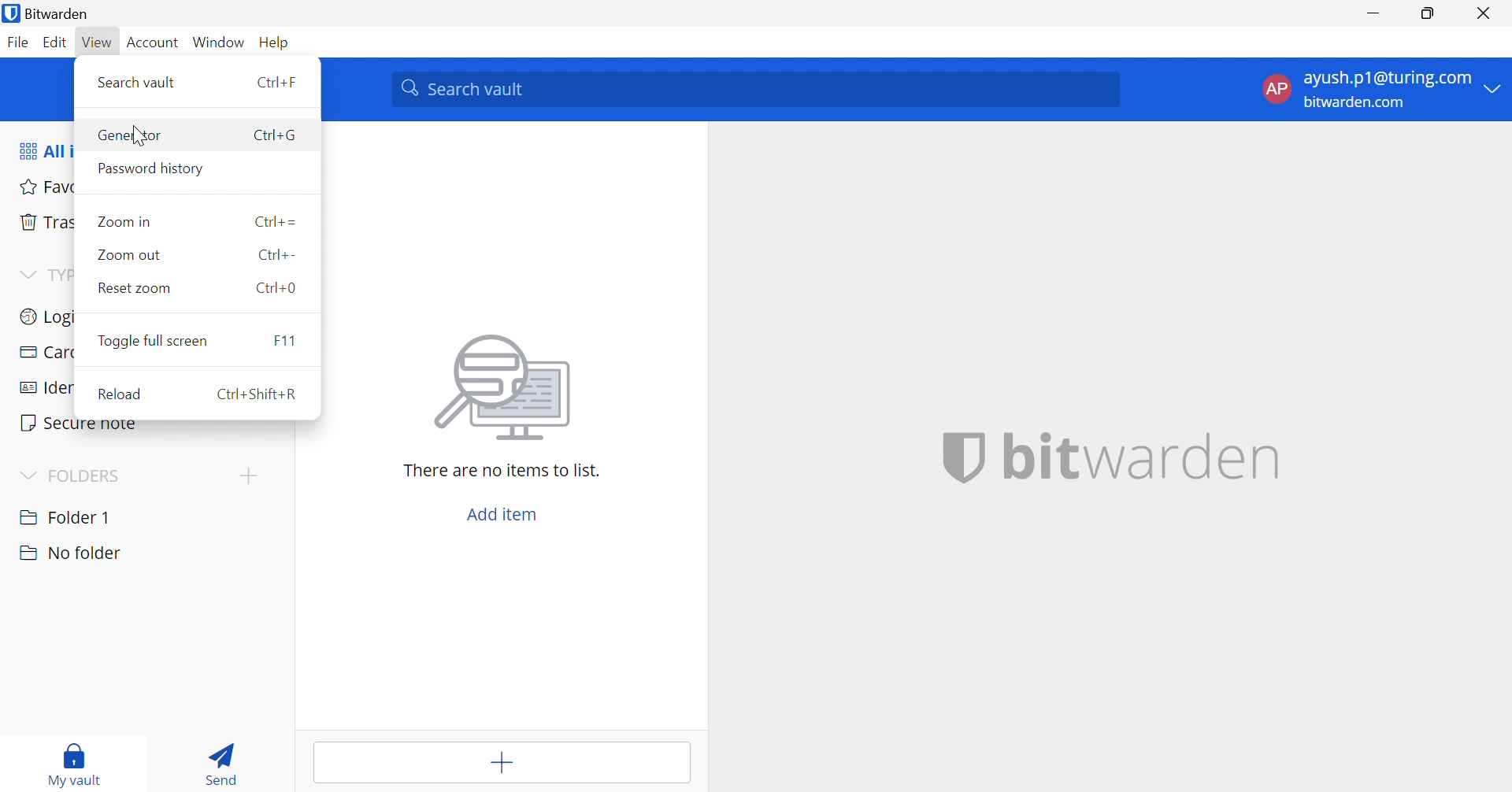  What do you see at coordinates (1142, 459) in the screenshot?
I see `bitwarden` at bounding box center [1142, 459].